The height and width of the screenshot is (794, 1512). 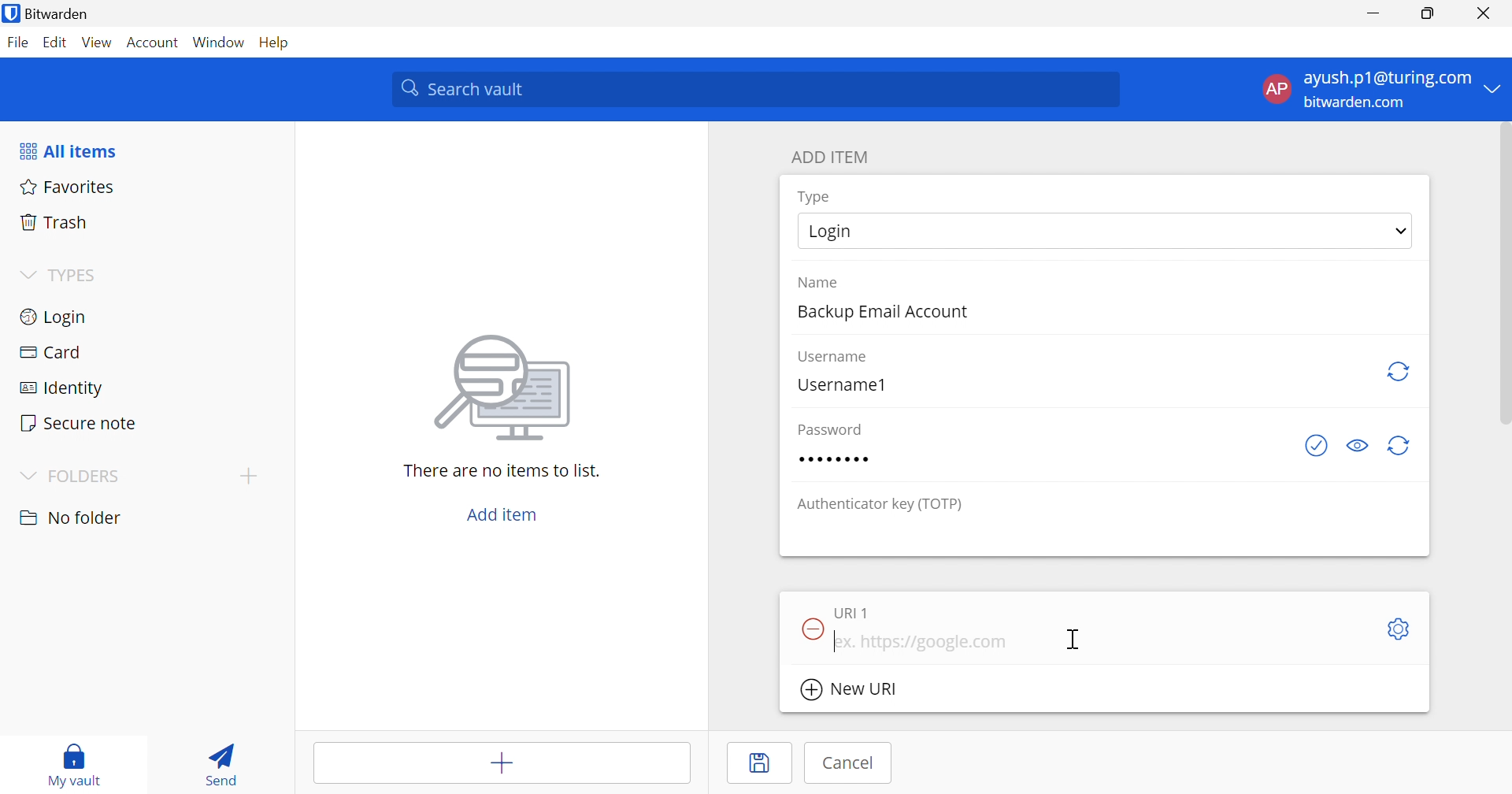 I want to click on FOLDERS, so click(x=72, y=475).